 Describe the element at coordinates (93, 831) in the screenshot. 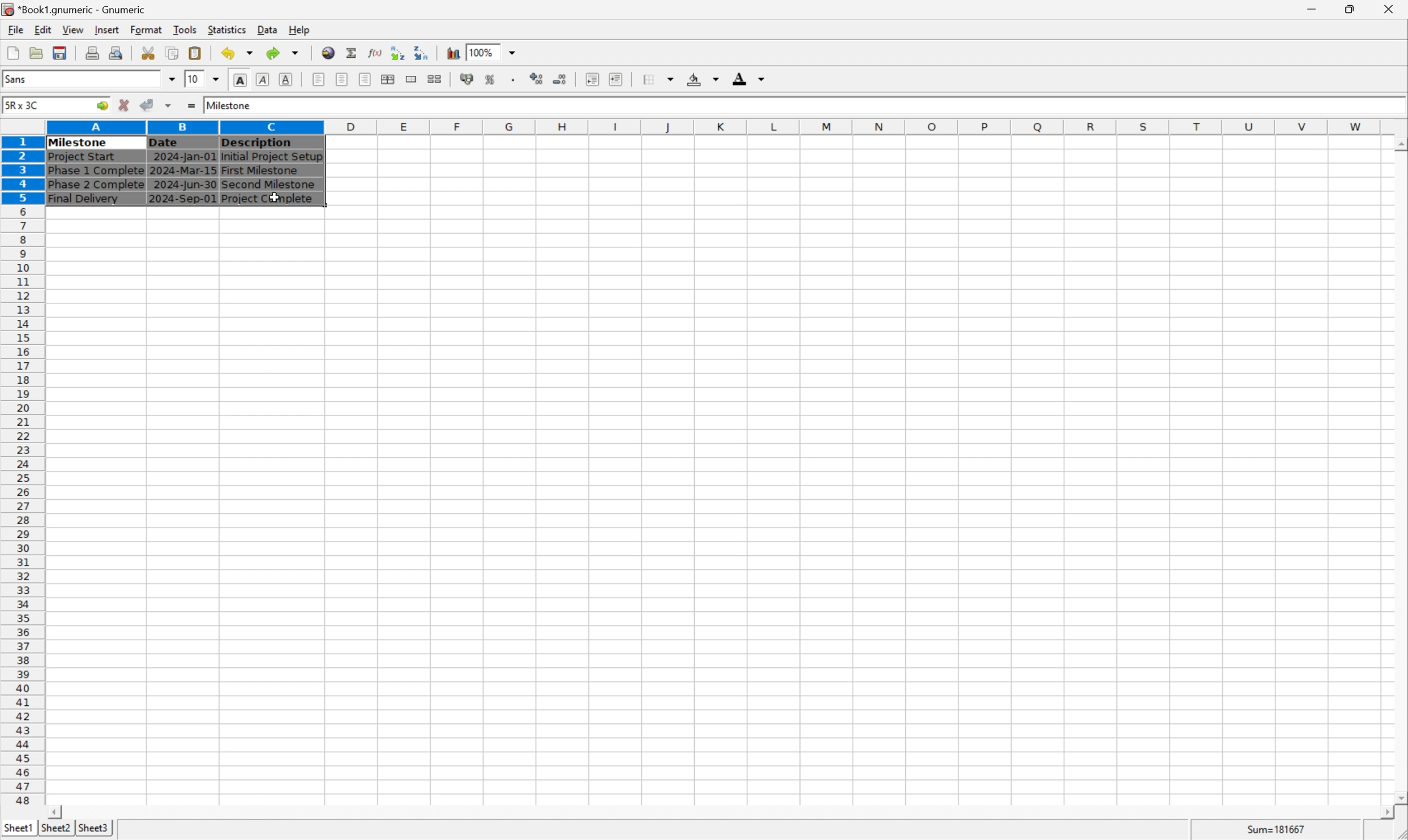

I see `sheet3` at that location.